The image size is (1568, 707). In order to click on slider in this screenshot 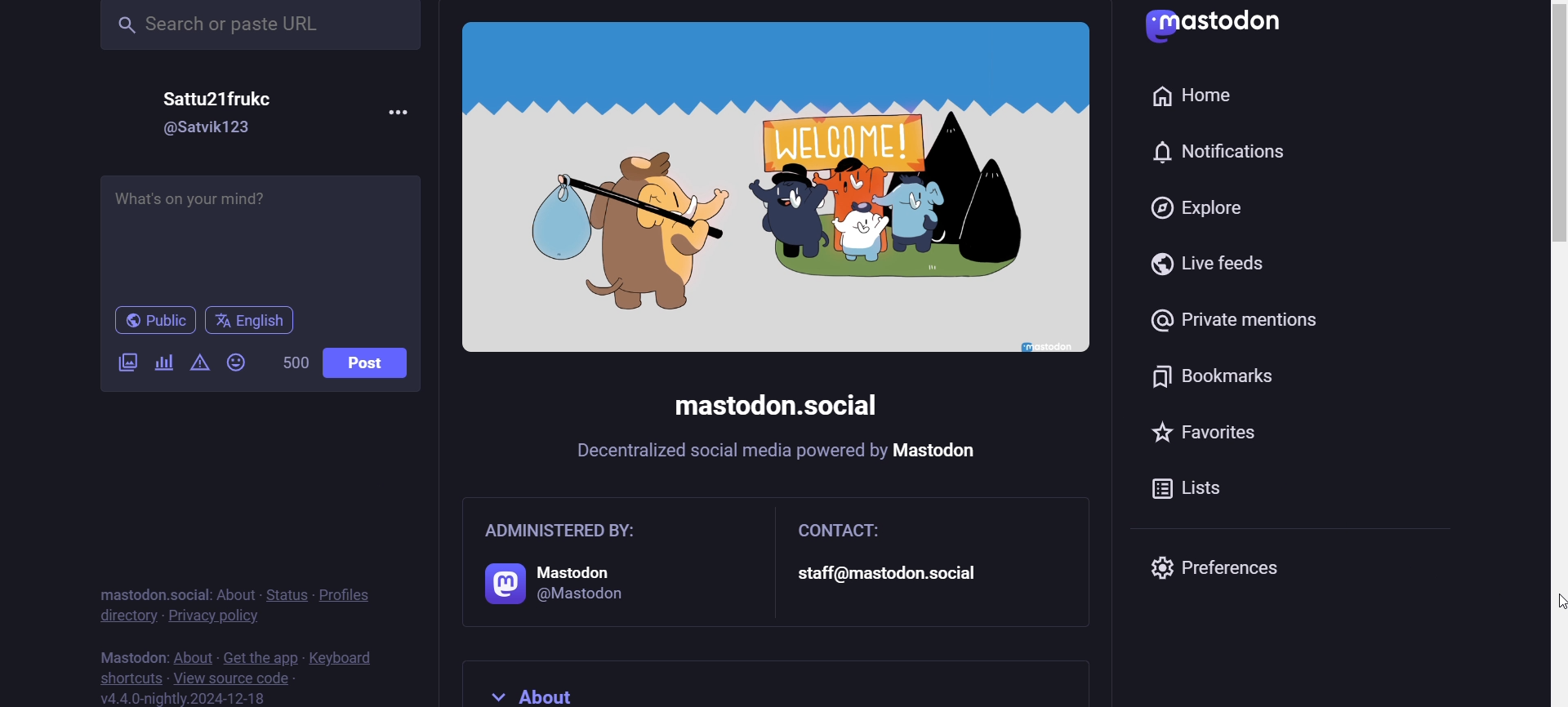, I will do `click(1552, 381)`.